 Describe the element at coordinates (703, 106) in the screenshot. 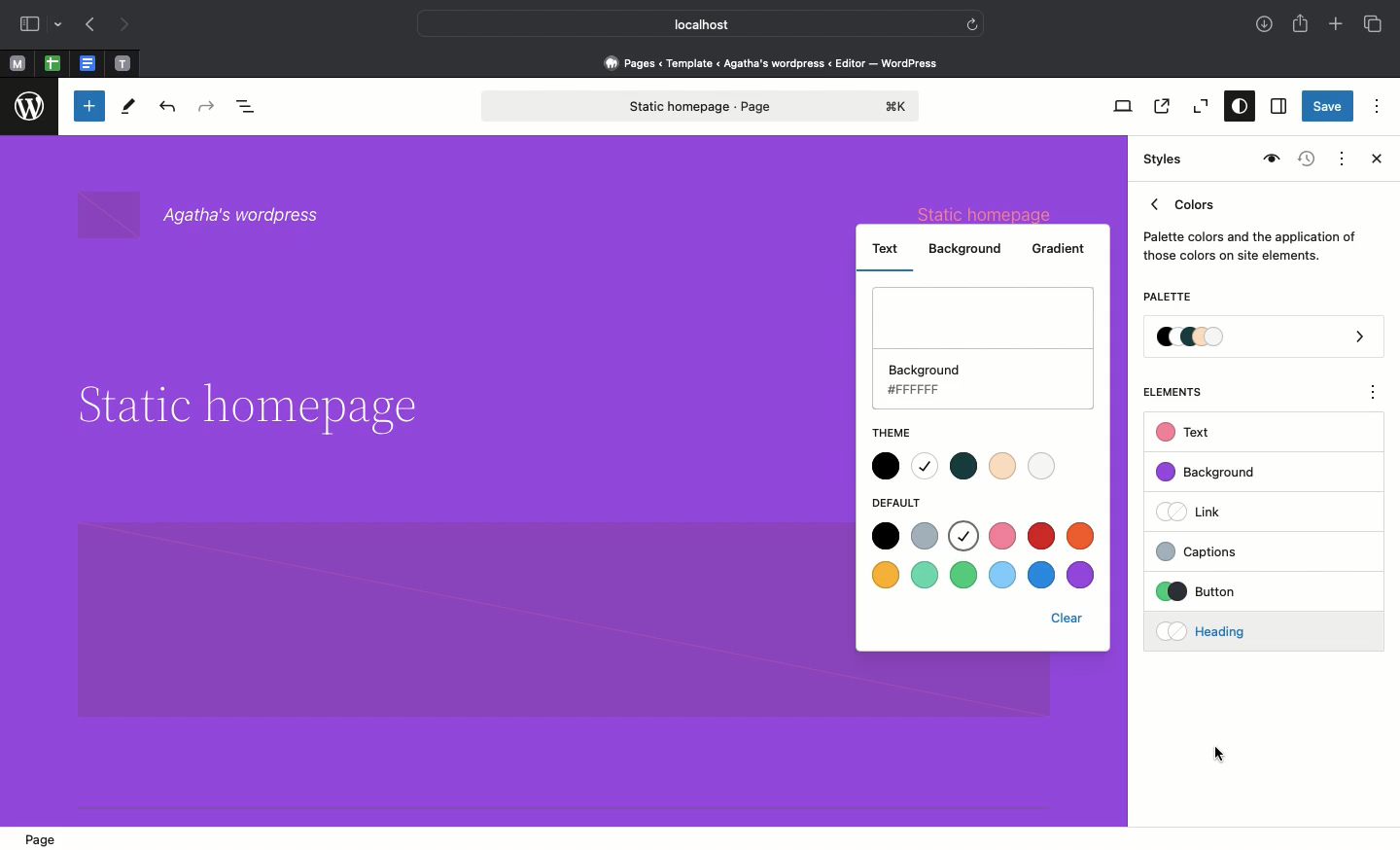

I see `Static homepage` at that location.